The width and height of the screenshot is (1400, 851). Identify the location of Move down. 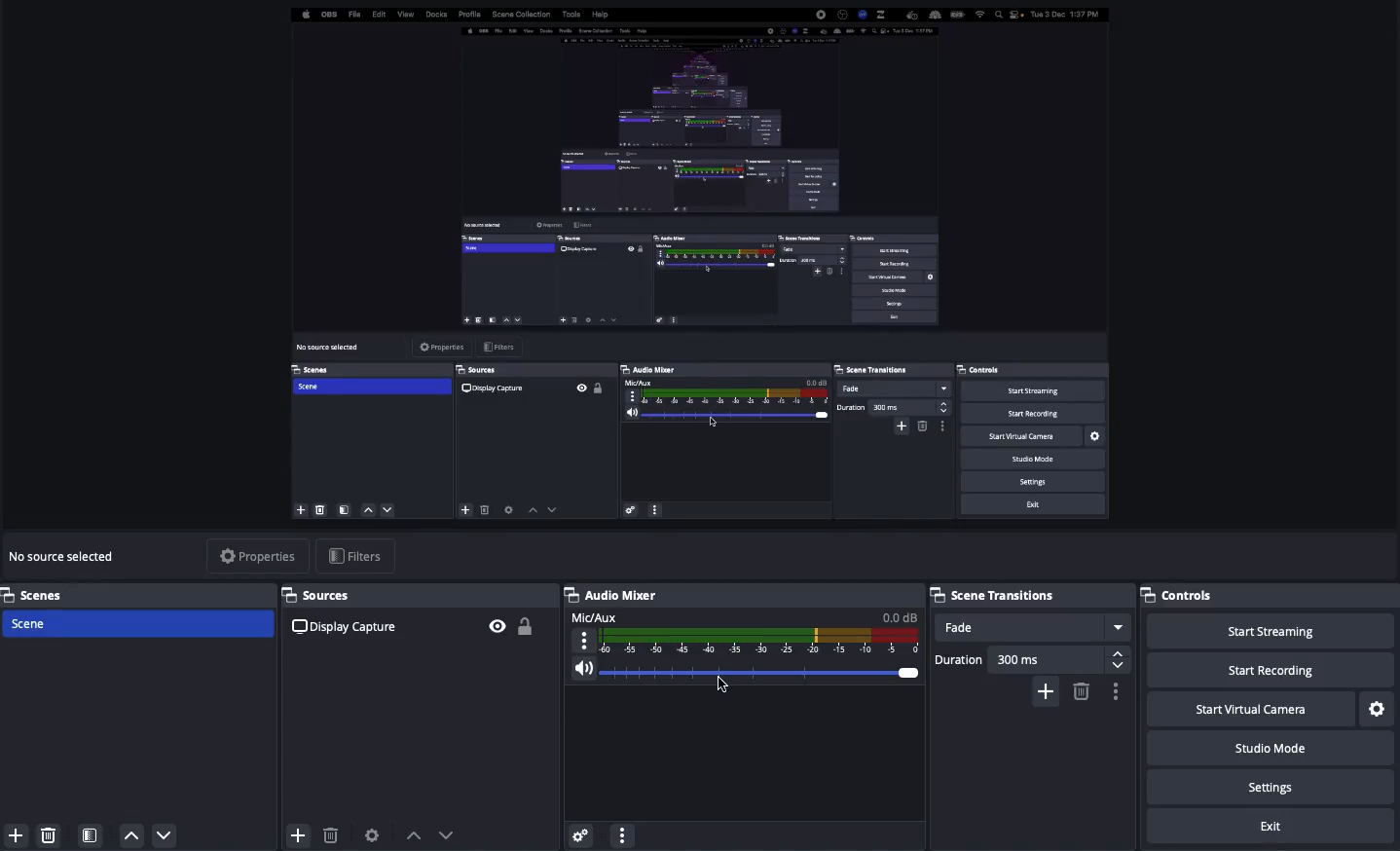
(447, 834).